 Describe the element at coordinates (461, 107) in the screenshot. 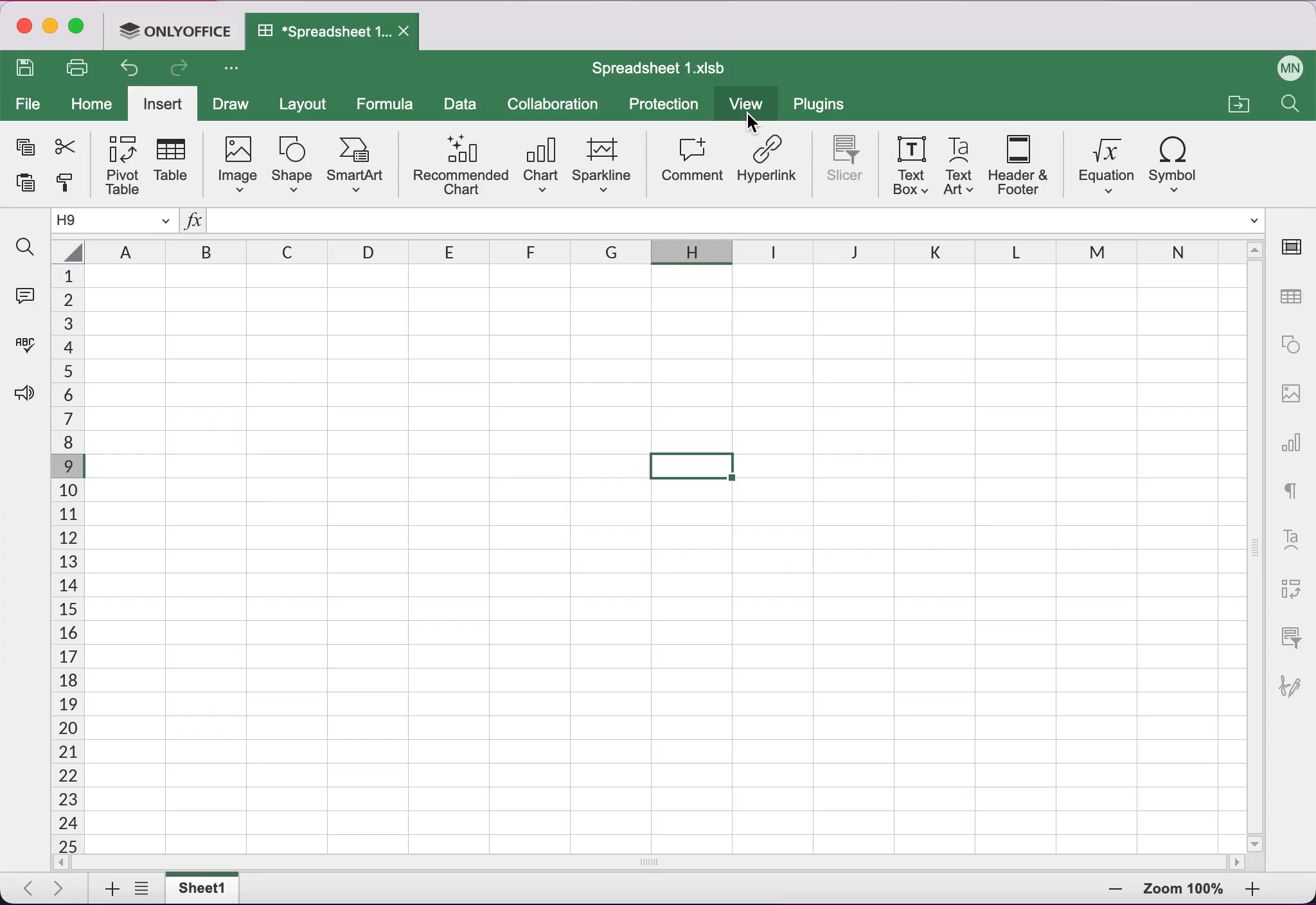

I see `data` at that location.